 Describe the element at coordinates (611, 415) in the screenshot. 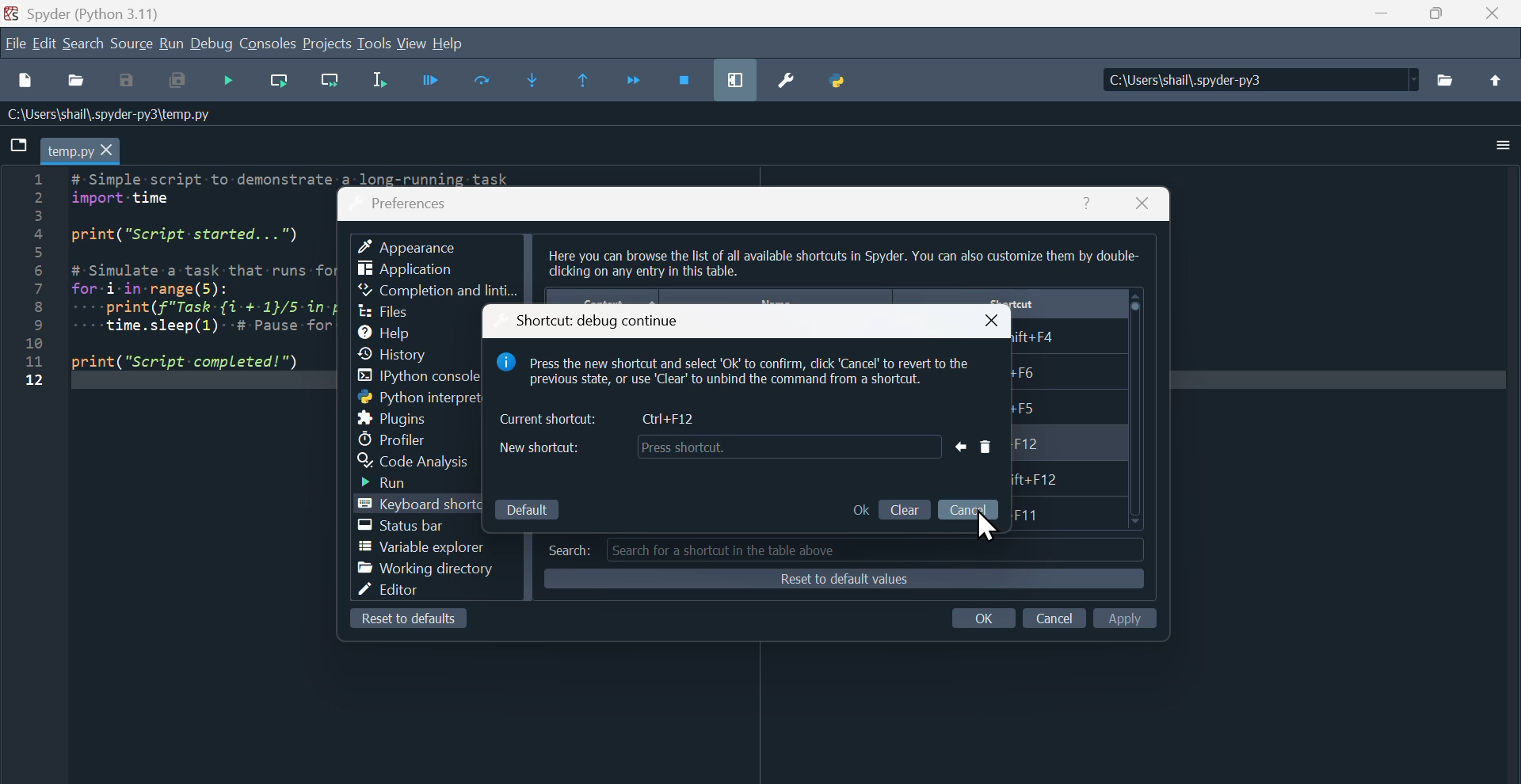

I see `Current shortcut` at that location.